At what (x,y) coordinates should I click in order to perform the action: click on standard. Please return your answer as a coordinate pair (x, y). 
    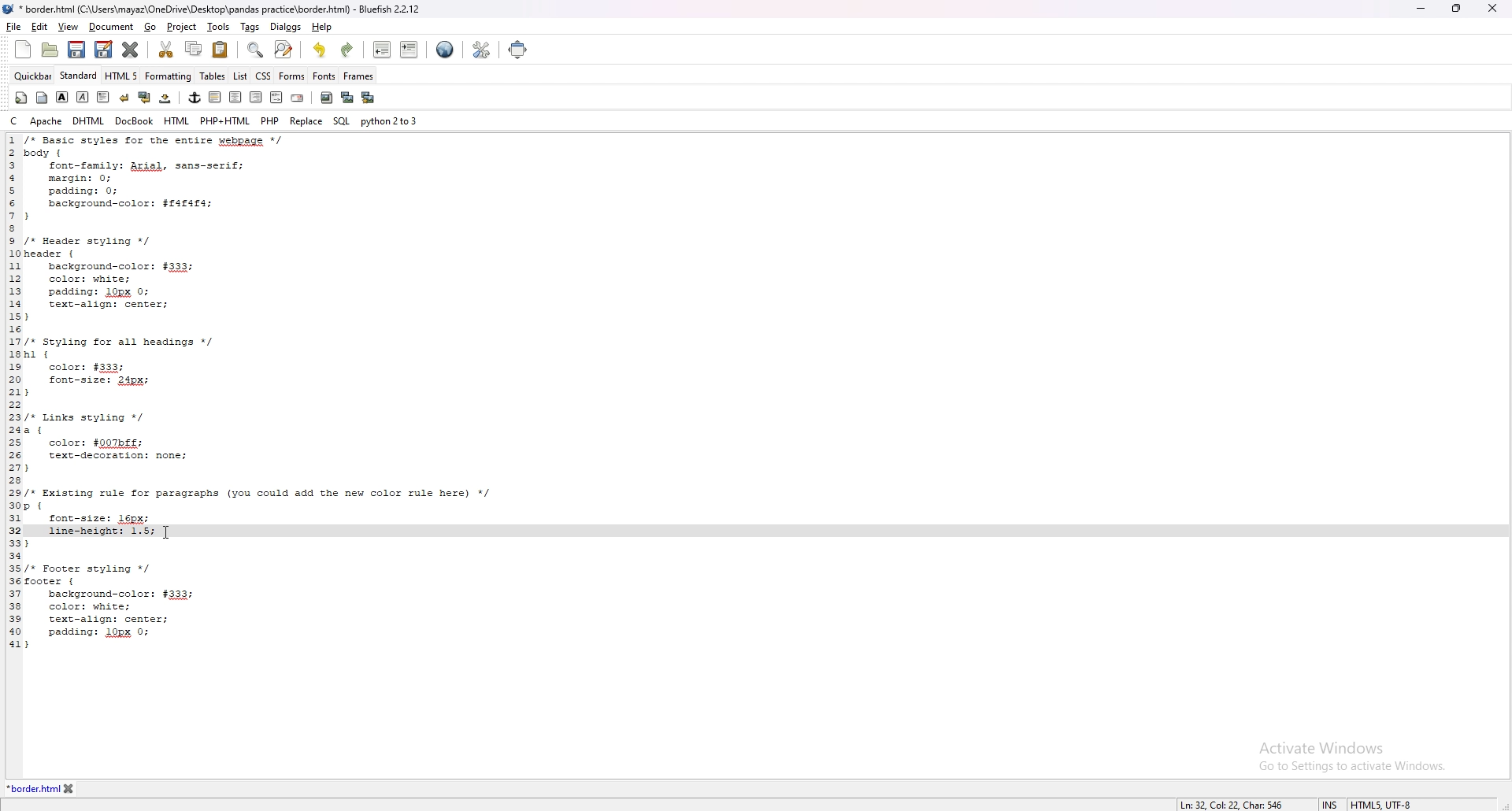
    Looking at the image, I should click on (79, 75).